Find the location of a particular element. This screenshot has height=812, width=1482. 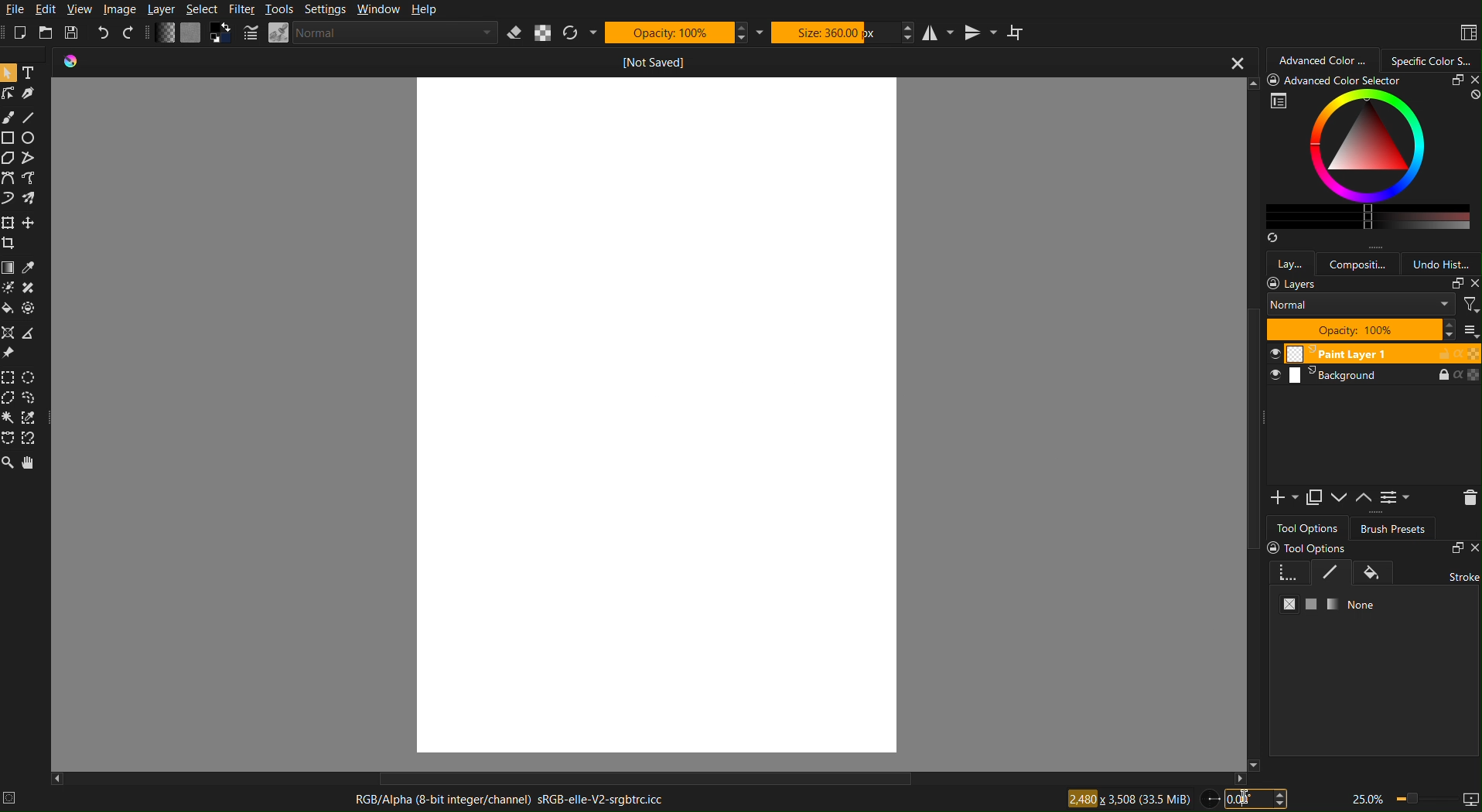

Open is located at coordinates (44, 32).